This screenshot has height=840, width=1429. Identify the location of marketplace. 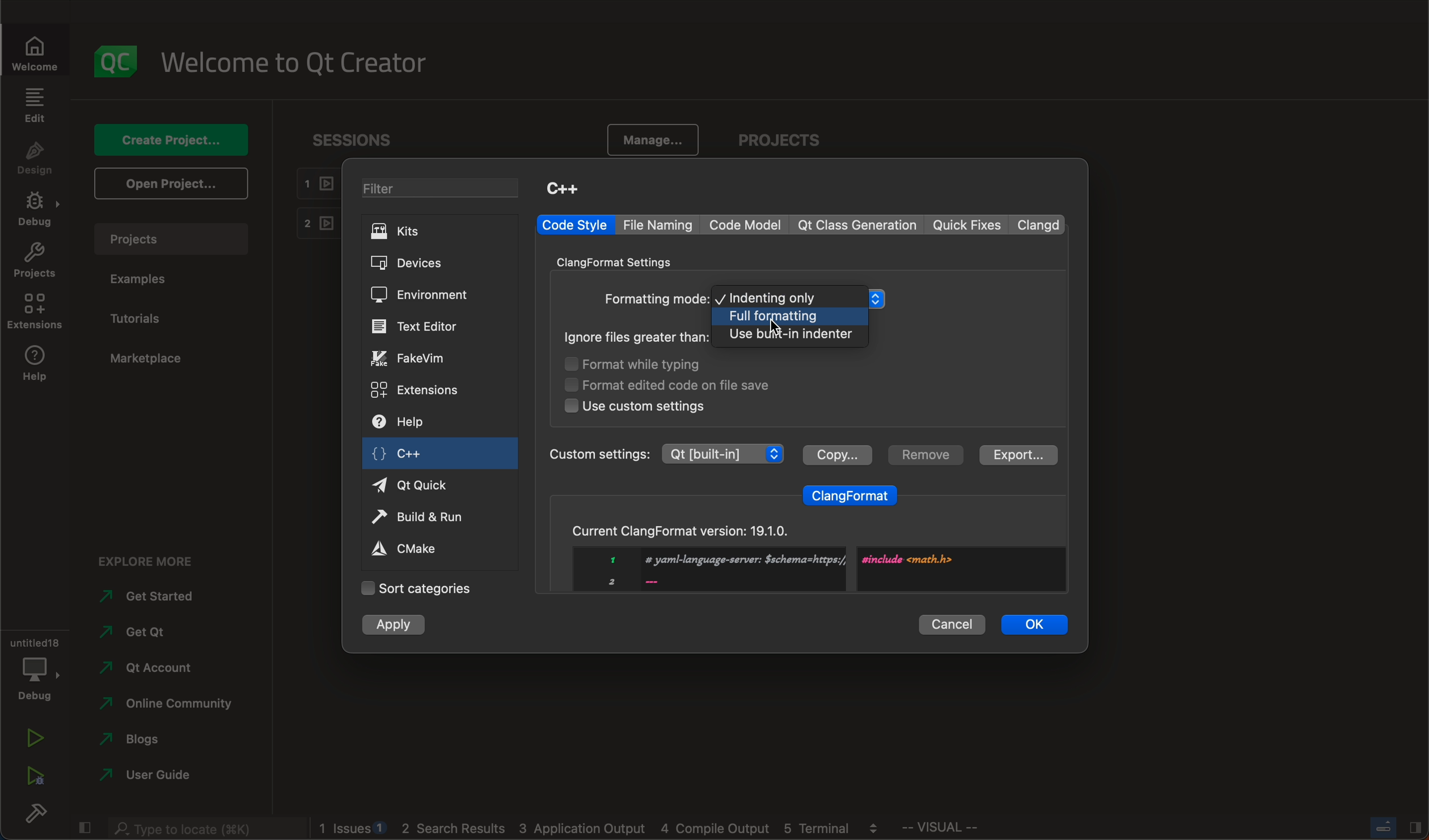
(146, 359).